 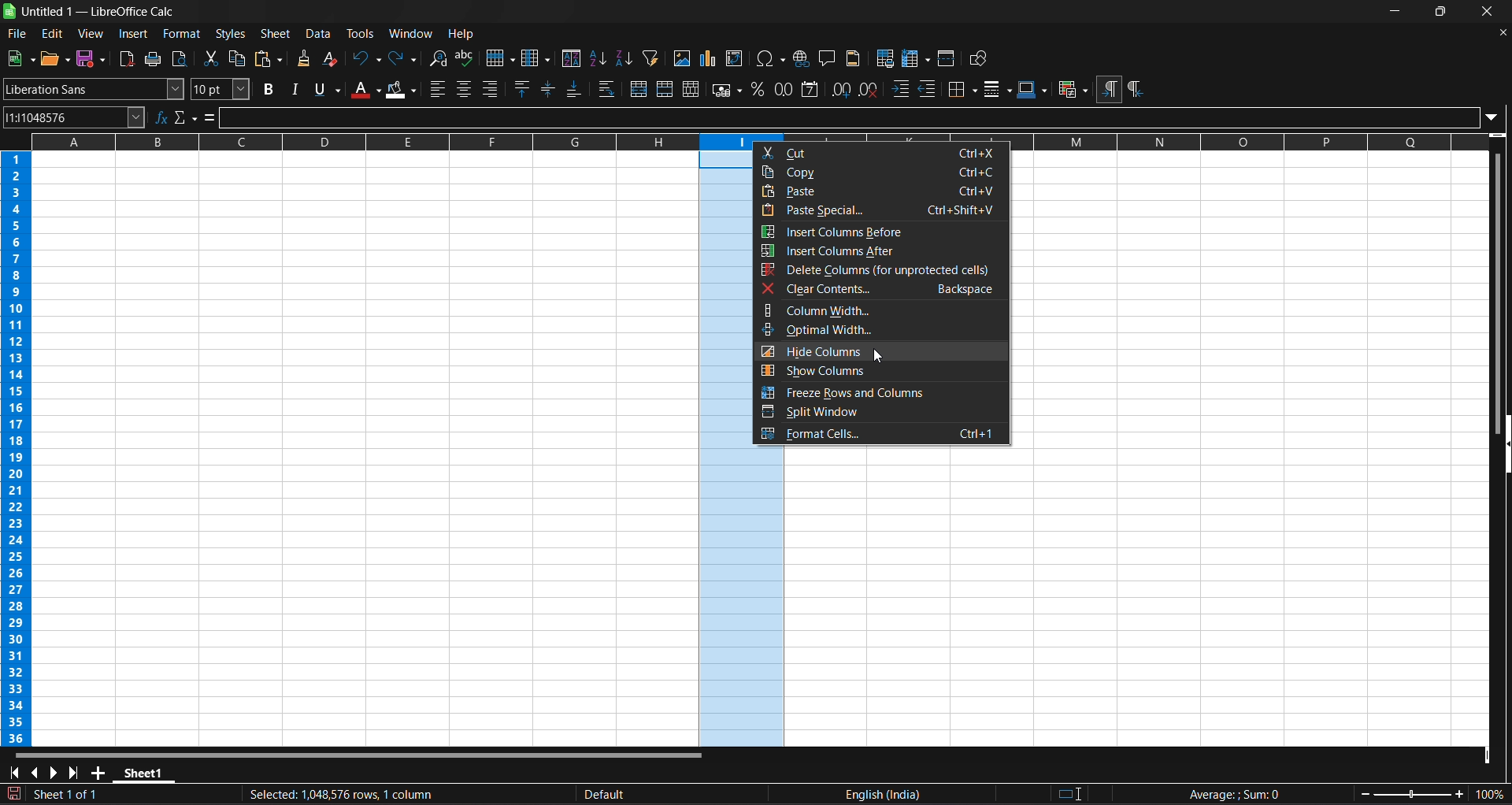 I want to click on input line, so click(x=858, y=117).